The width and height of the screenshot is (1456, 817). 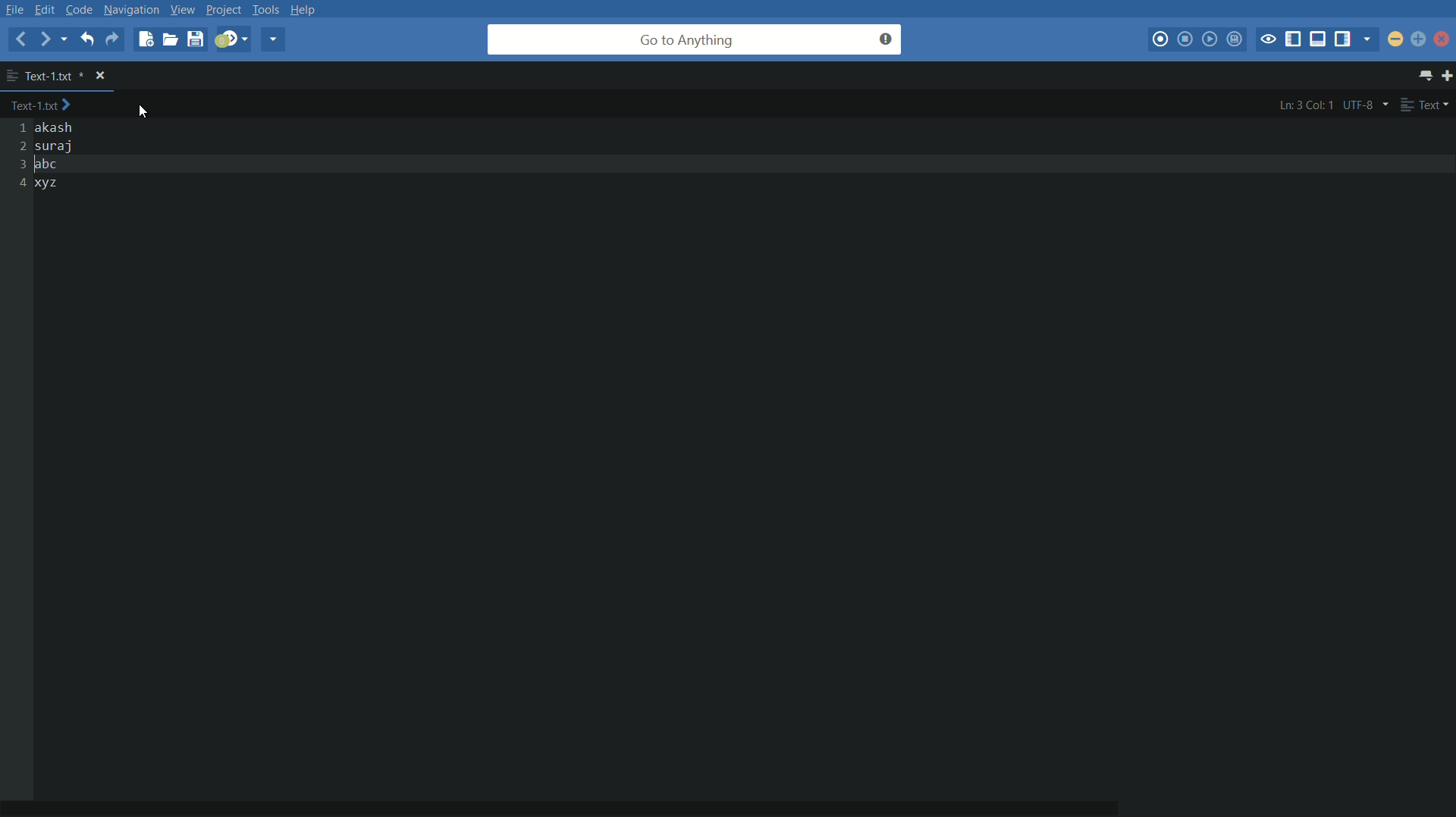 What do you see at coordinates (222, 11) in the screenshot?
I see `project ` at bounding box center [222, 11].